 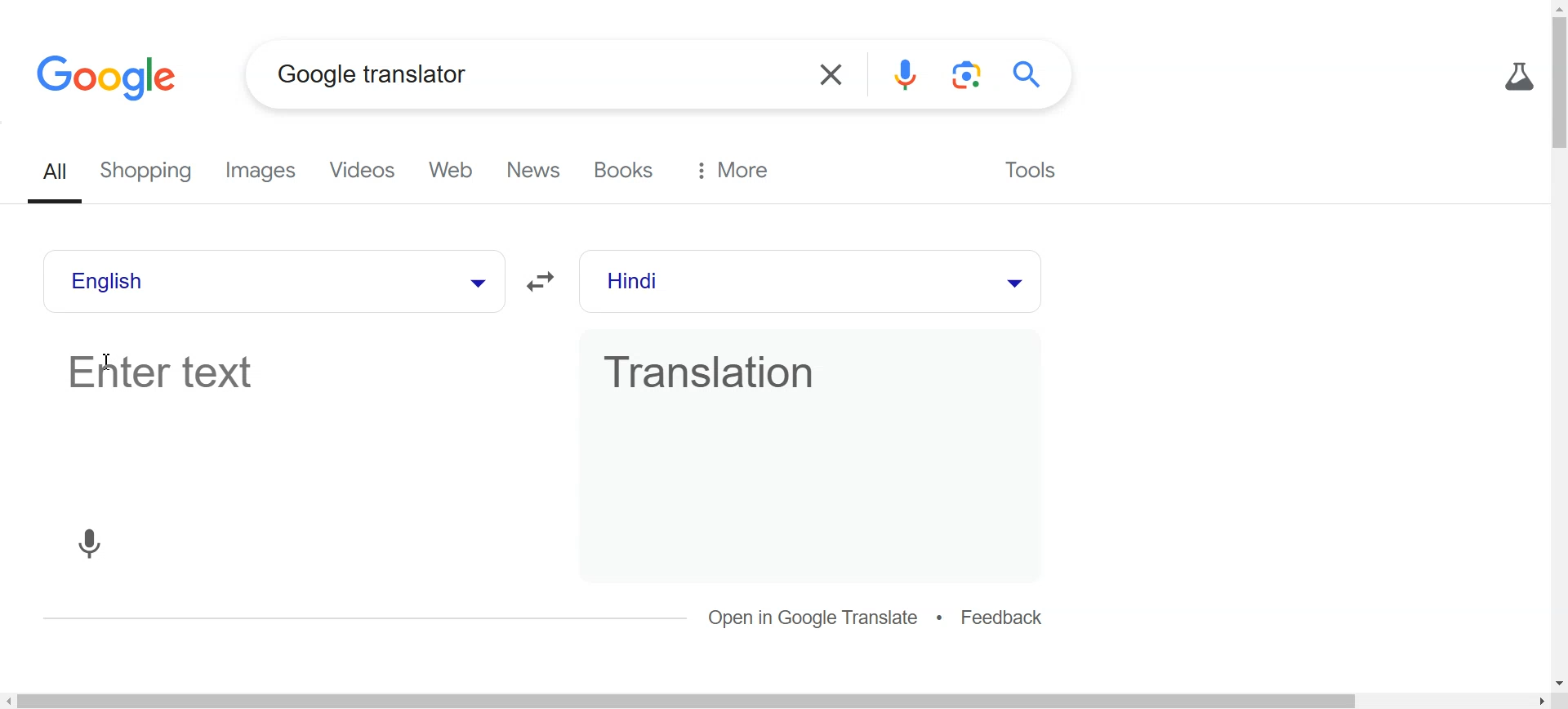 I want to click on Text, so click(x=372, y=74).